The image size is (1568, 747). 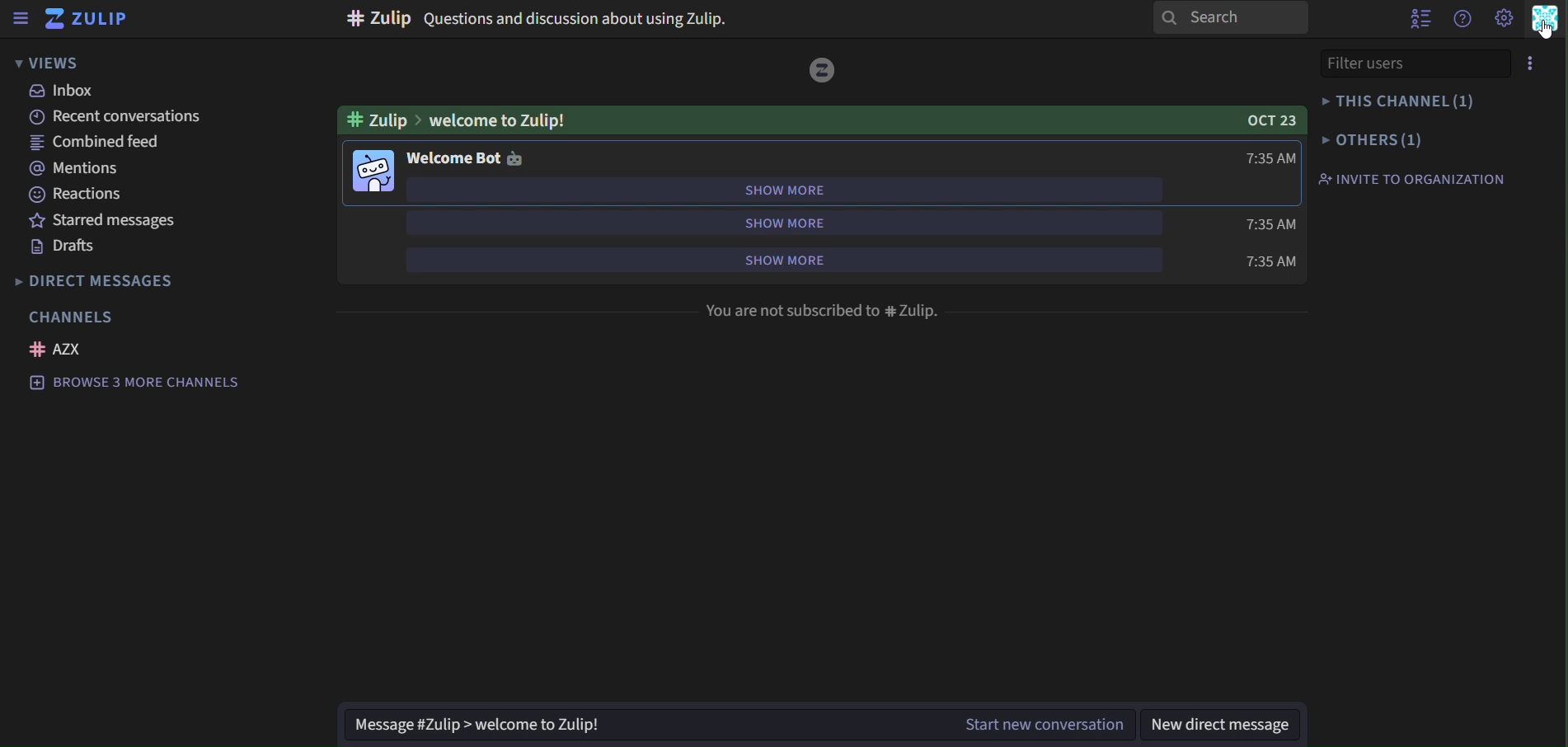 What do you see at coordinates (500, 120) in the screenshot?
I see `welcome to Zulip!` at bounding box center [500, 120].